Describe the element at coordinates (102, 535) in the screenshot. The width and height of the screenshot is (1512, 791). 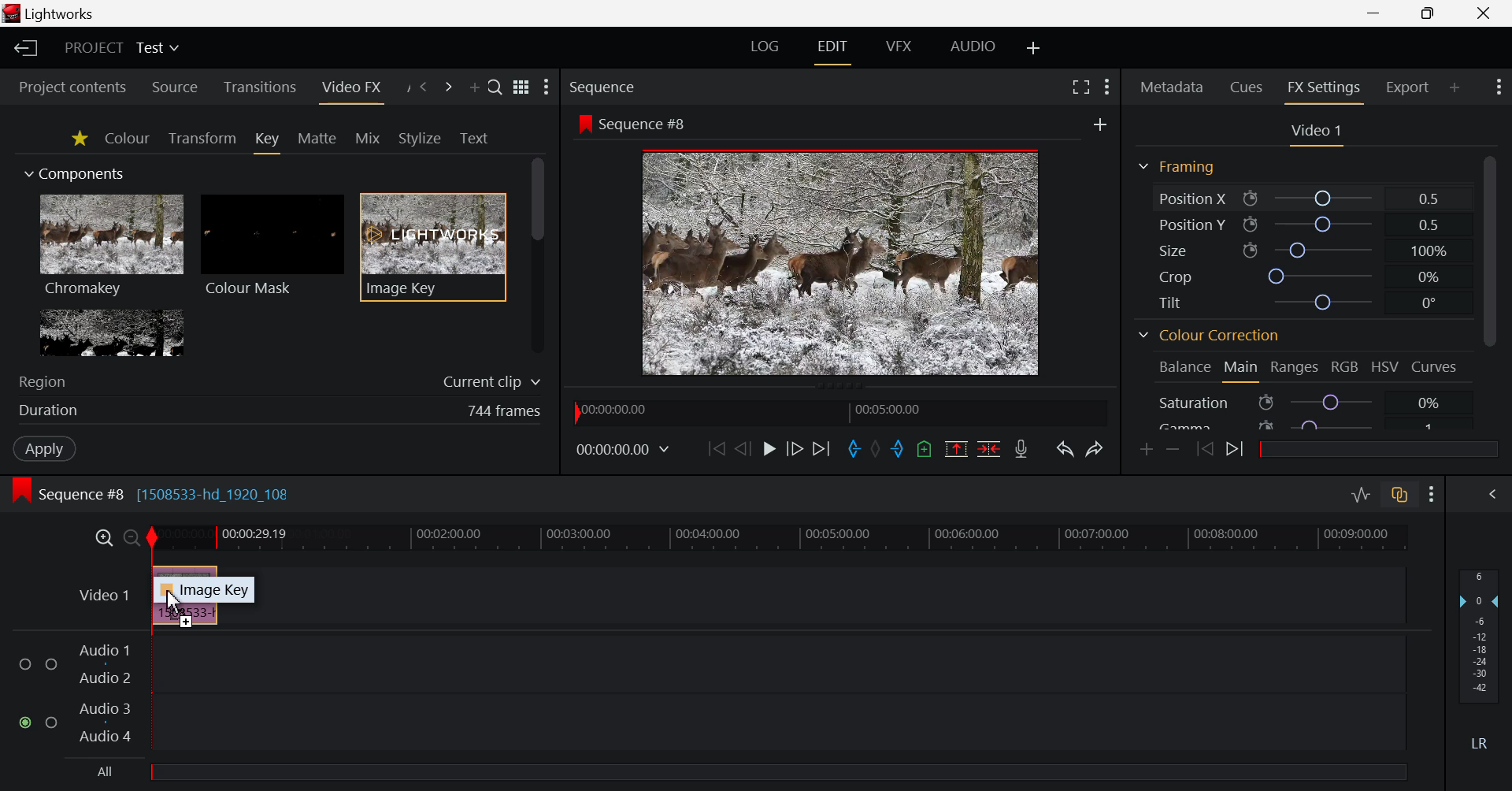
I see `Timeline Zoom In` at that location.